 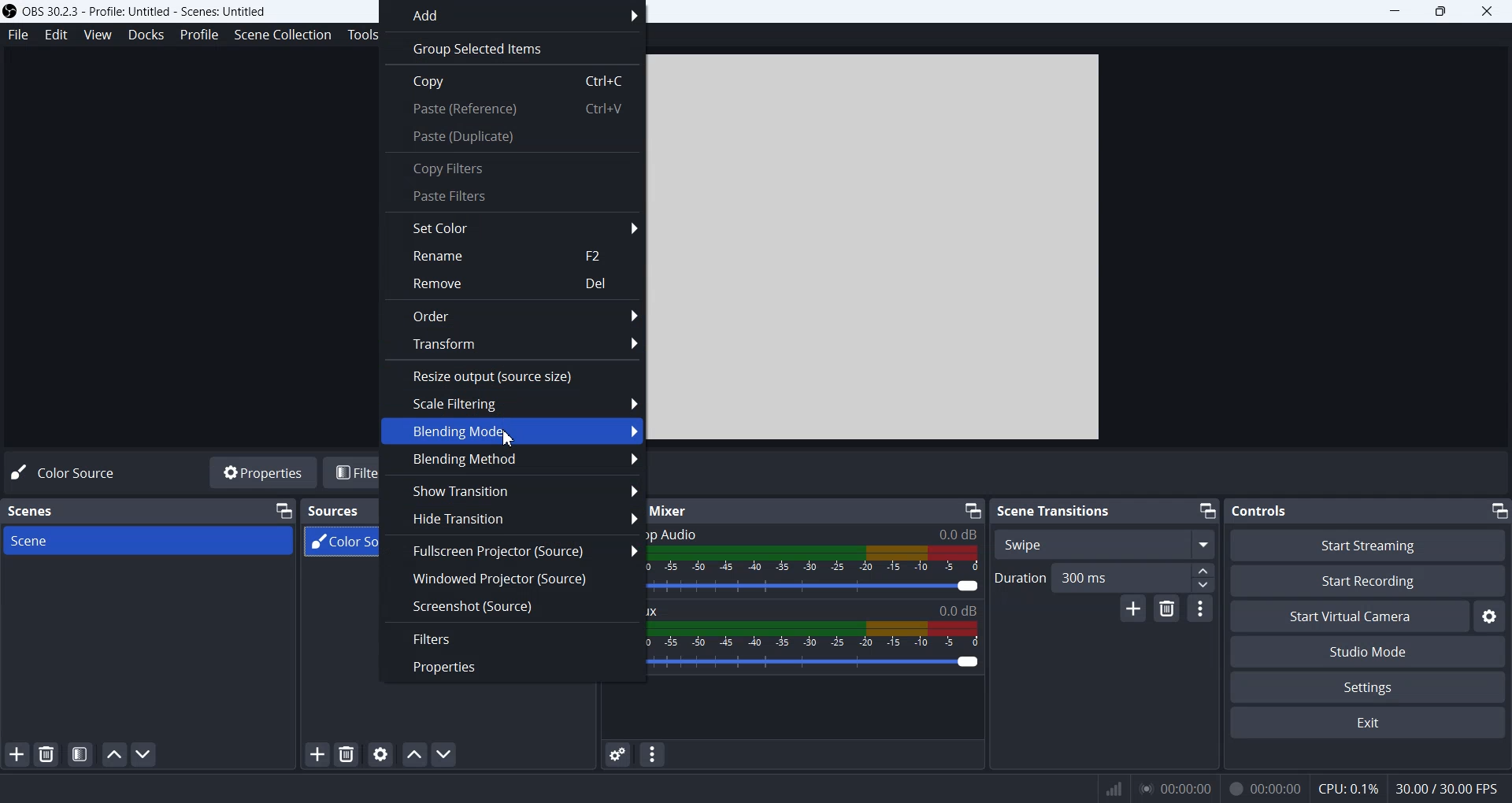 I want to click on Settings, so click(x=1369, y=686).